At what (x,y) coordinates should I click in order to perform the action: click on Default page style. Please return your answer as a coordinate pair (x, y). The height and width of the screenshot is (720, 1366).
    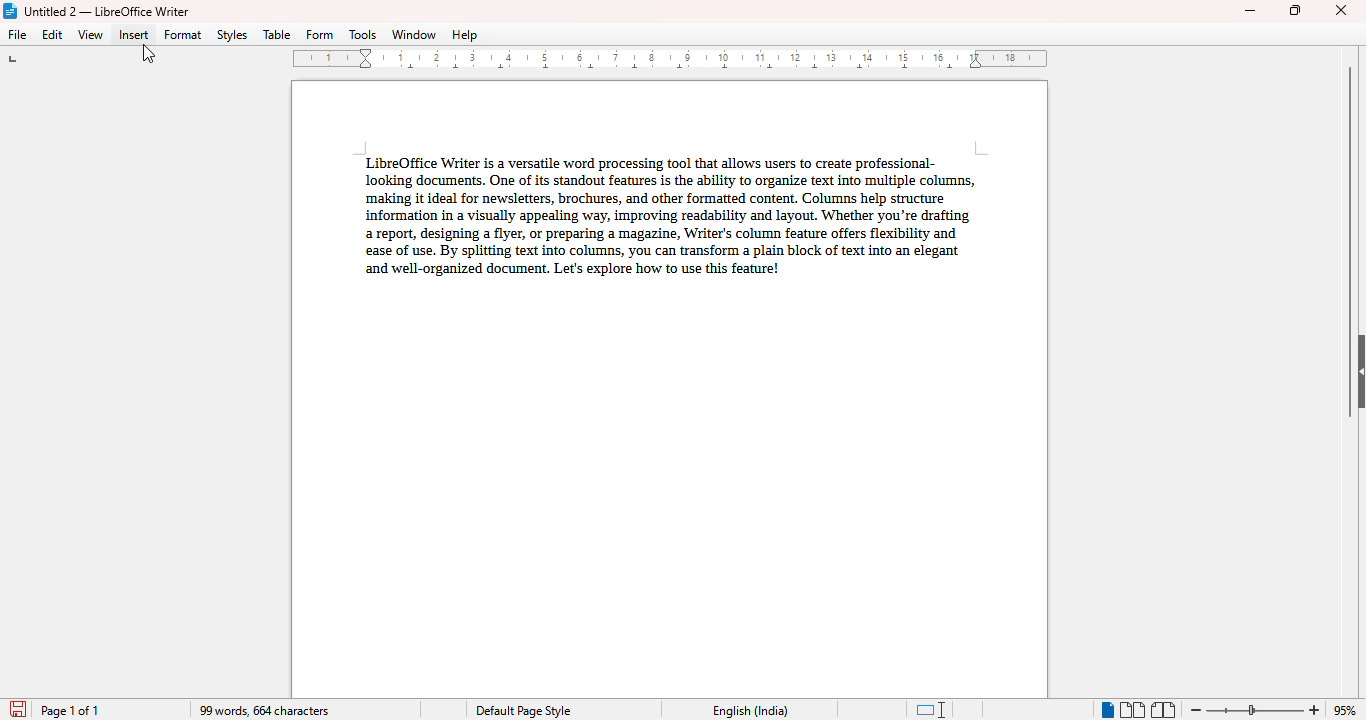
    Looking at the image, I should click on (522, 711).